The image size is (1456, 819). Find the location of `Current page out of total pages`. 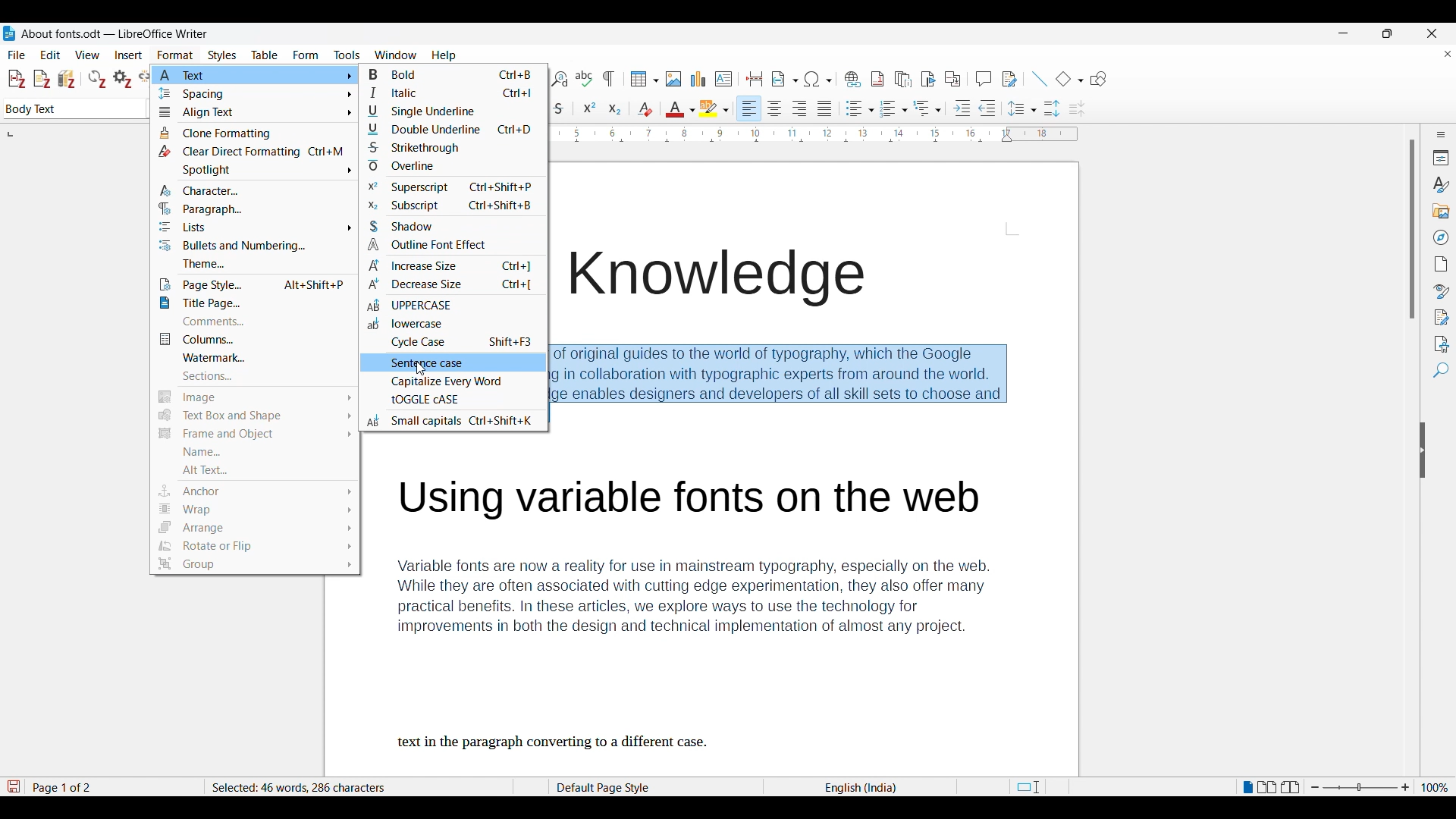

Current page out of total pages is located at coordinates (64, 787).